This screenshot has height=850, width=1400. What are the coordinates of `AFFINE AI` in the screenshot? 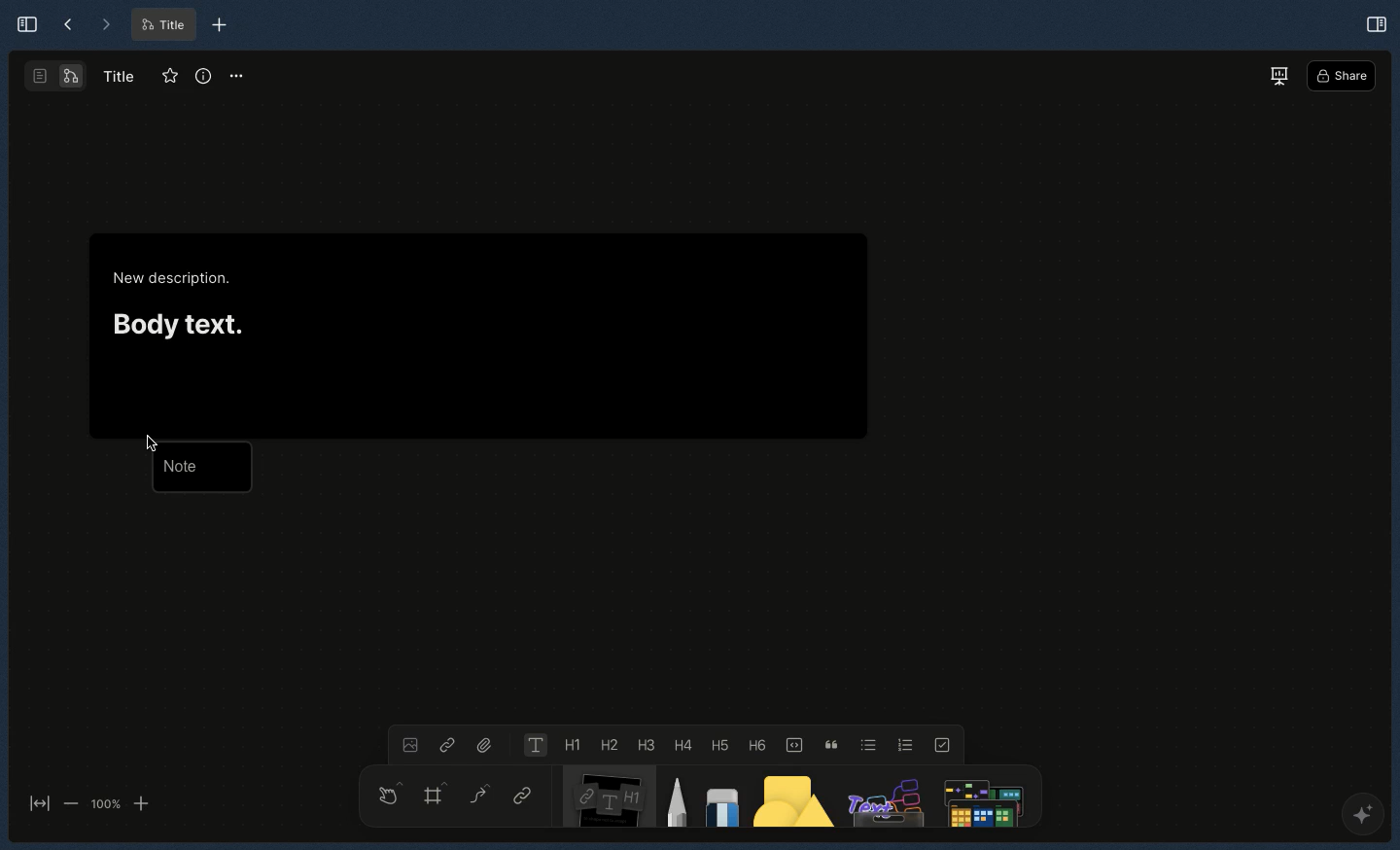 It's located at (1359, 818).